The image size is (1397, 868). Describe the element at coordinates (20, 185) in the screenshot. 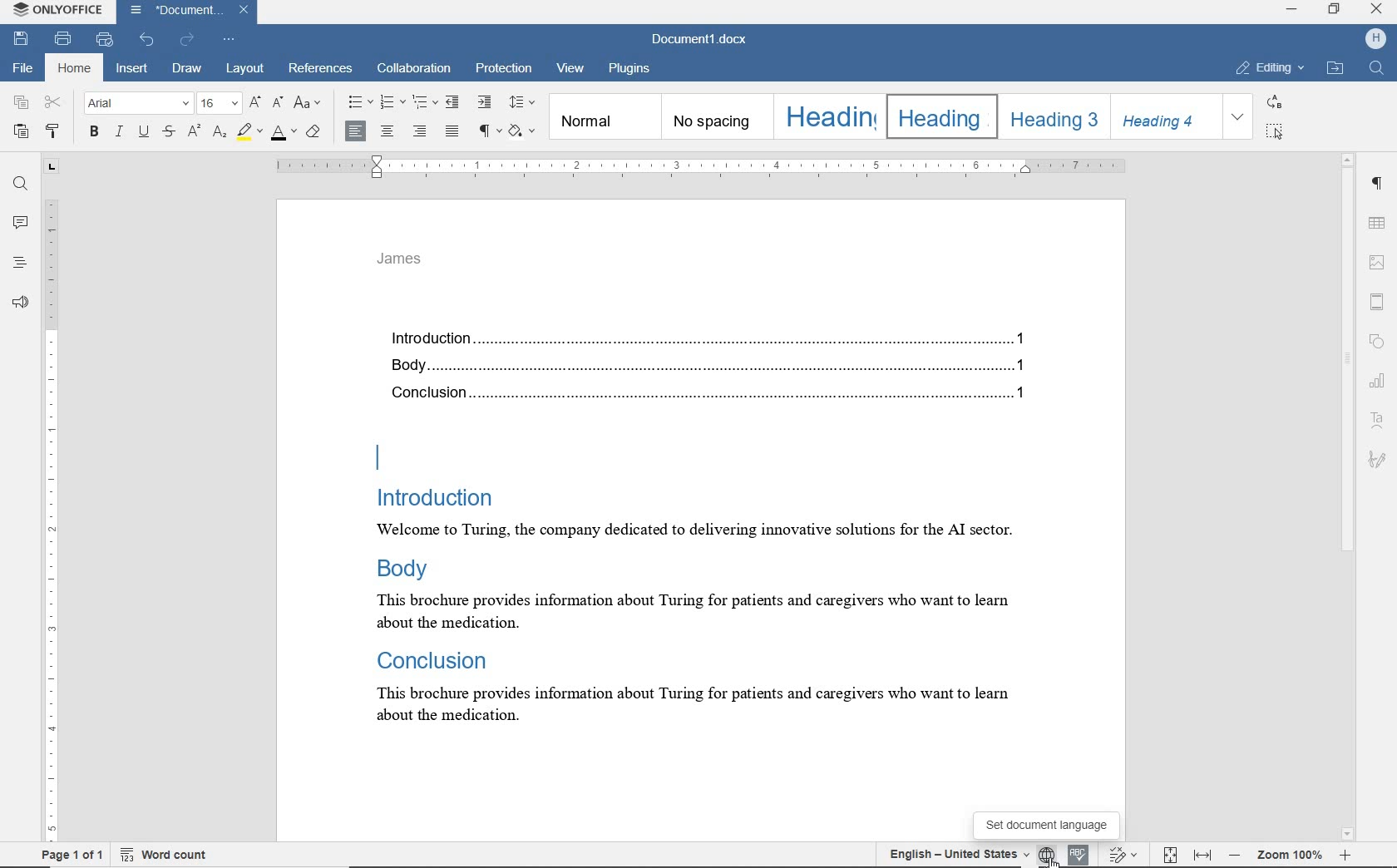

I see `find` at that location.